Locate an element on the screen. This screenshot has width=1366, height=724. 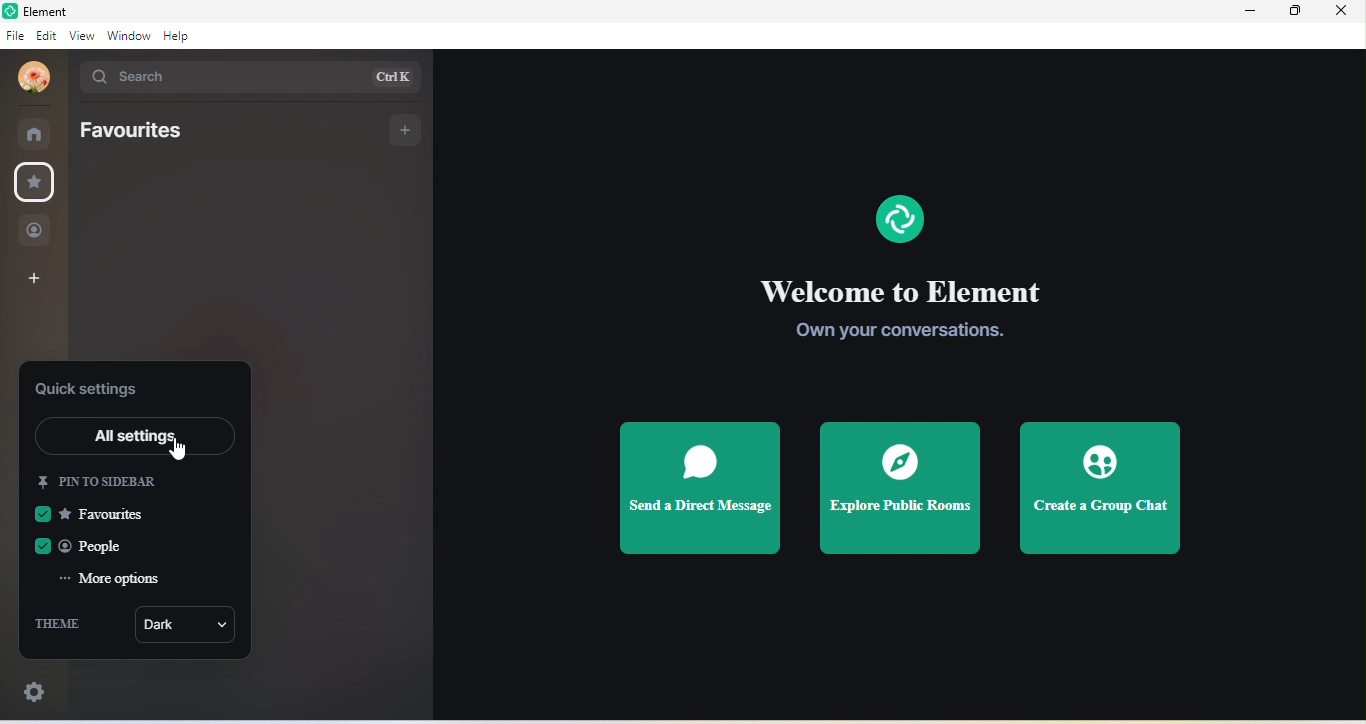
title is located at coordinates (51, 11).